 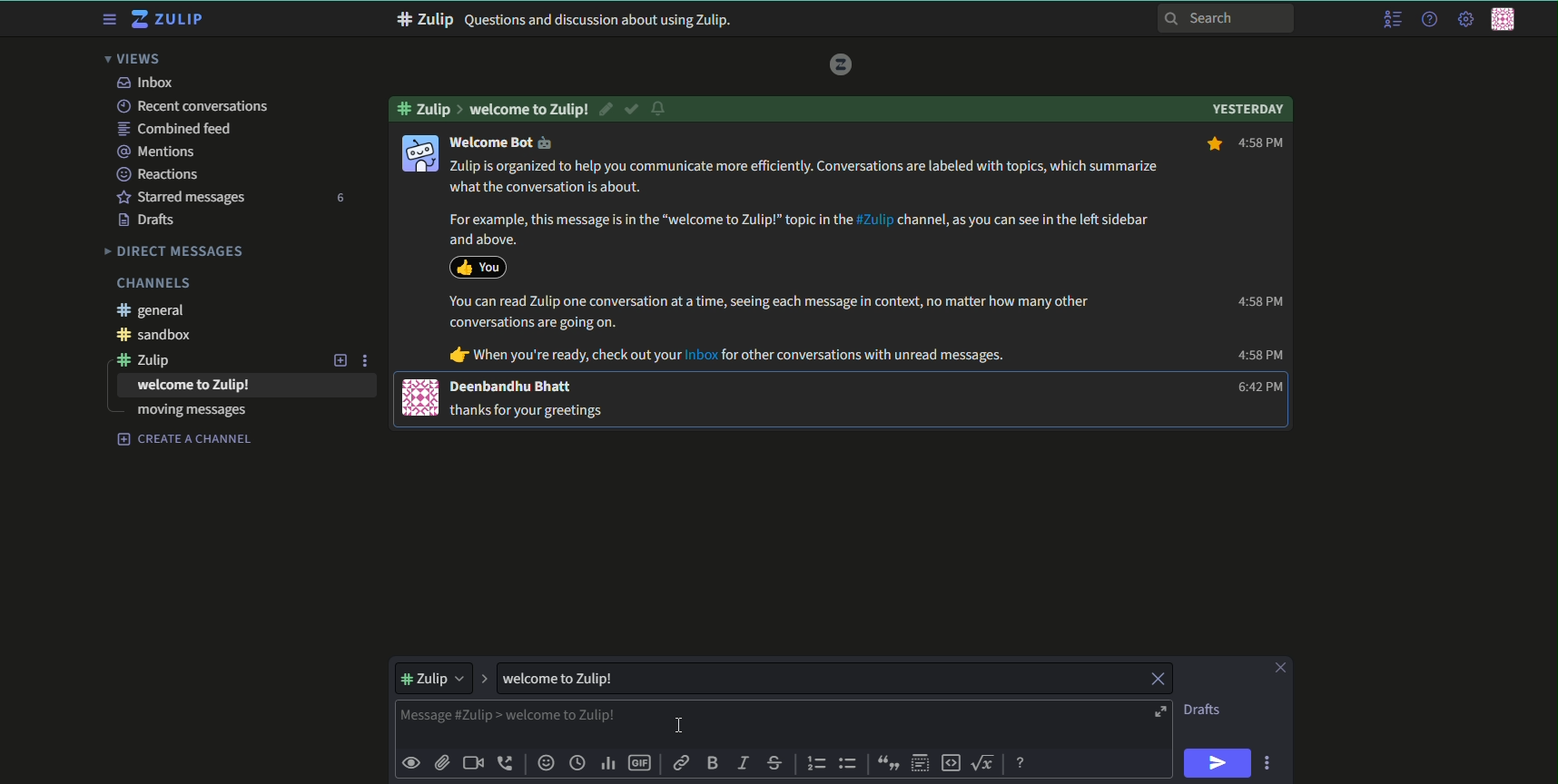 What do you see at coordinates (501, 142) in the screenshot?
I see `Welcome Bot` at bounding box center [501, 142].